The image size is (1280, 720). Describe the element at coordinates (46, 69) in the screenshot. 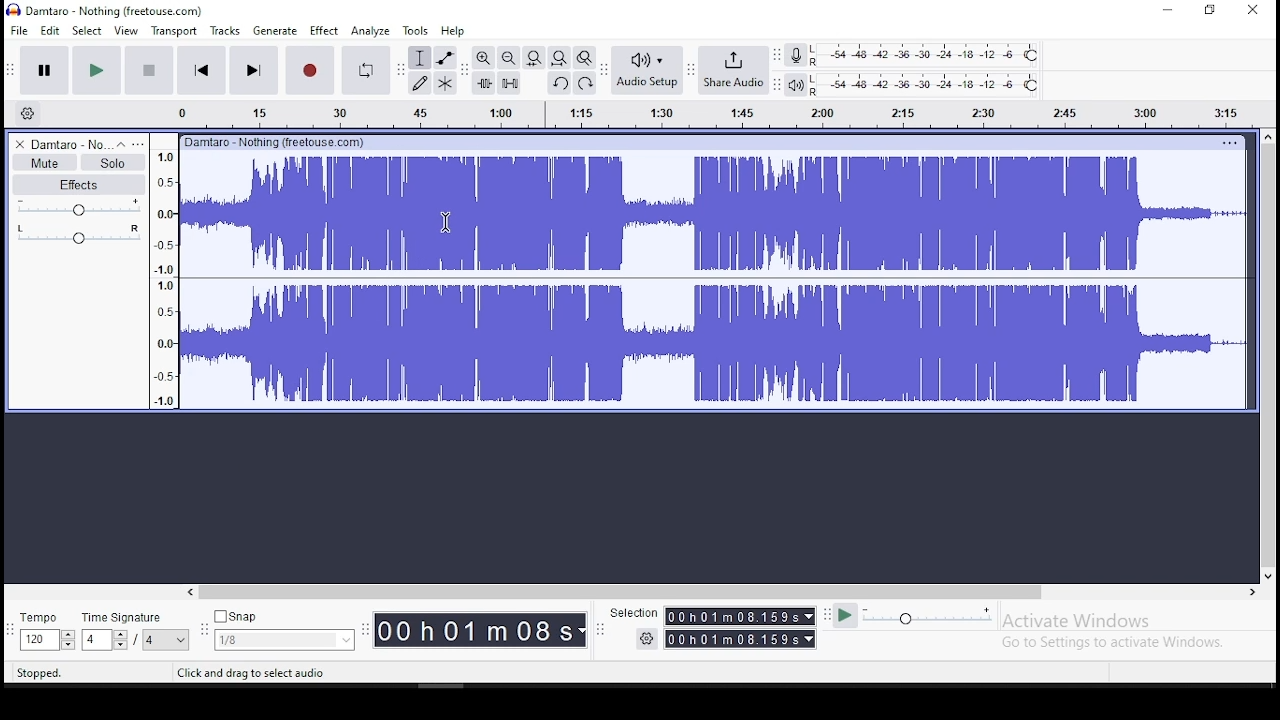

I see `pause` at that location.